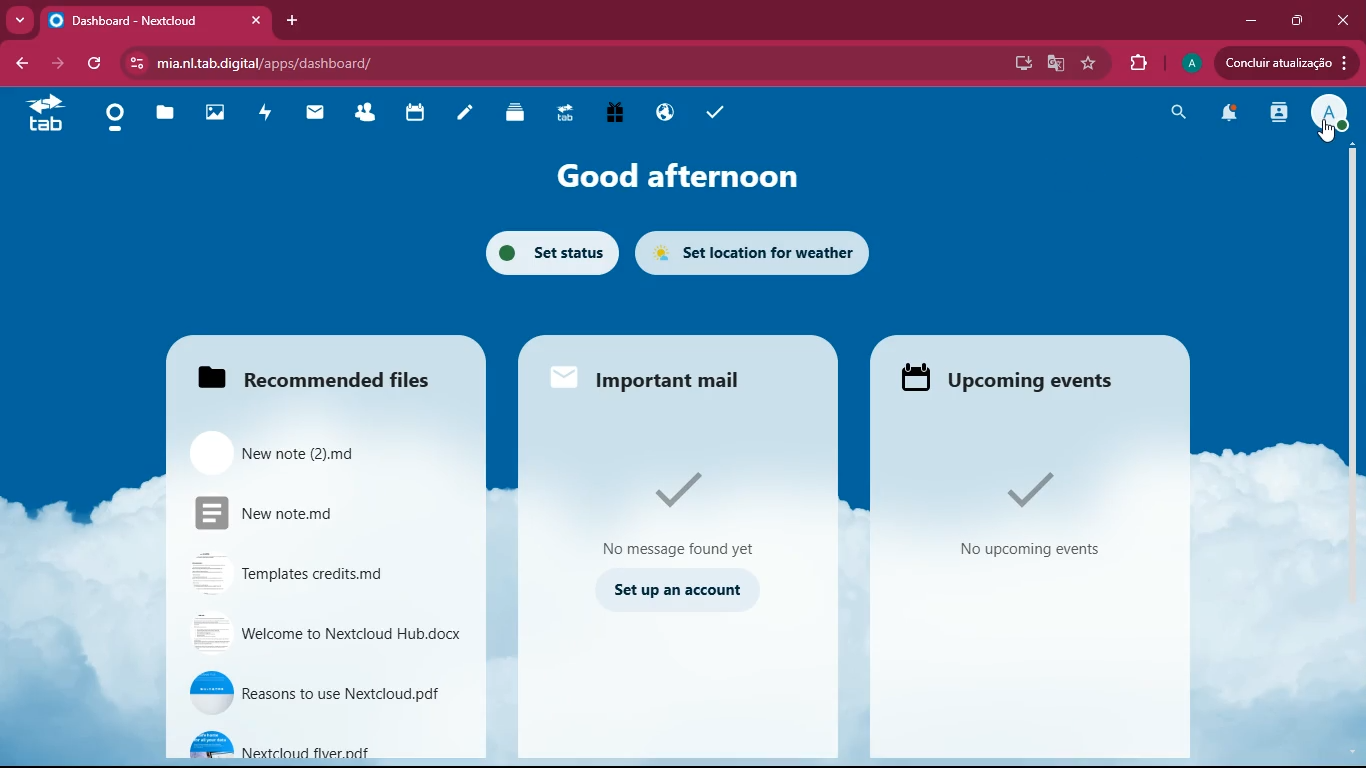 This screenshot has height=768, width=1366. I want to click on good afternoon, so click(680, 179).